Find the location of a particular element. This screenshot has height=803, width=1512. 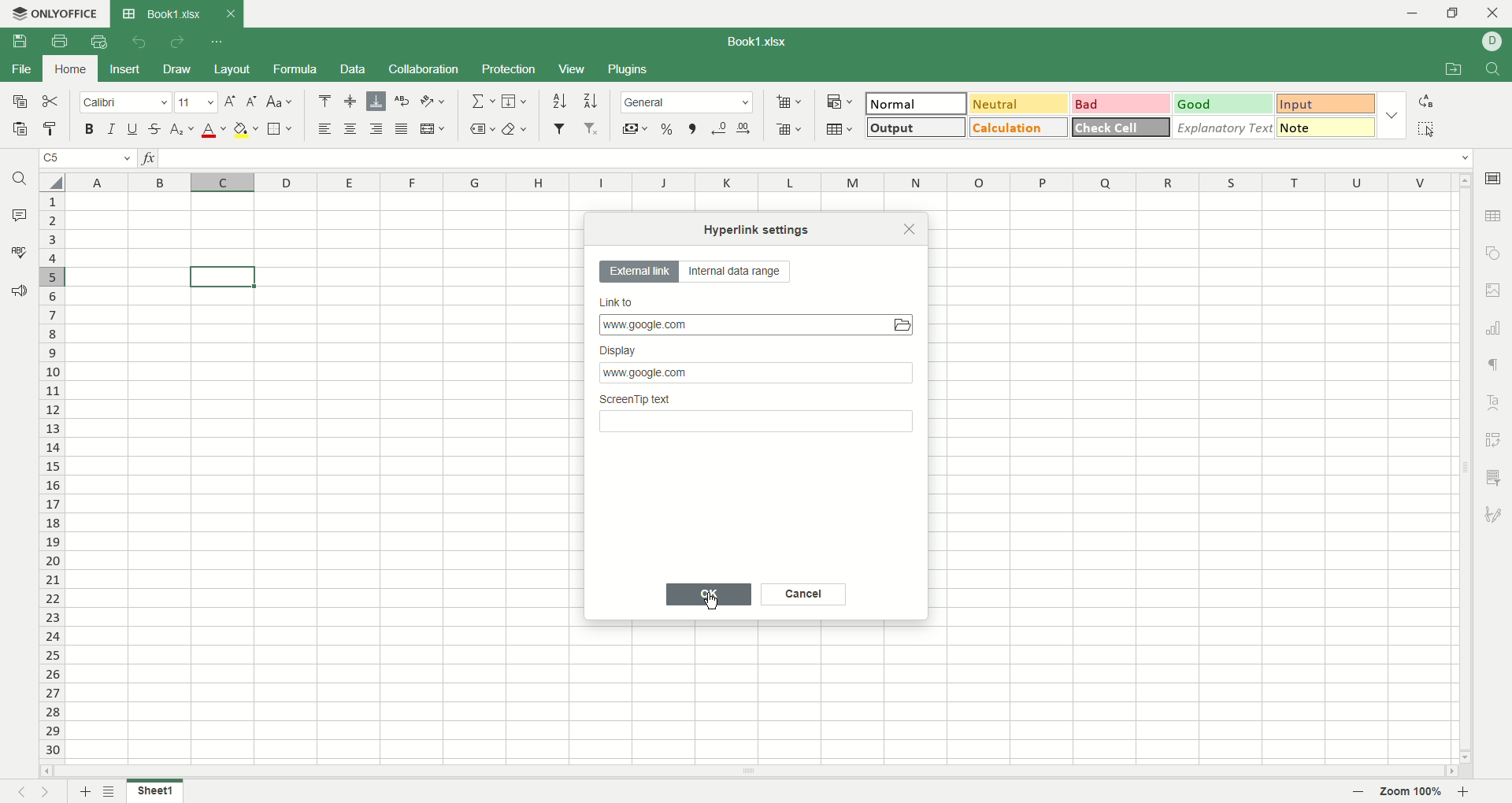

comma style is located at coordinates (692, 128).